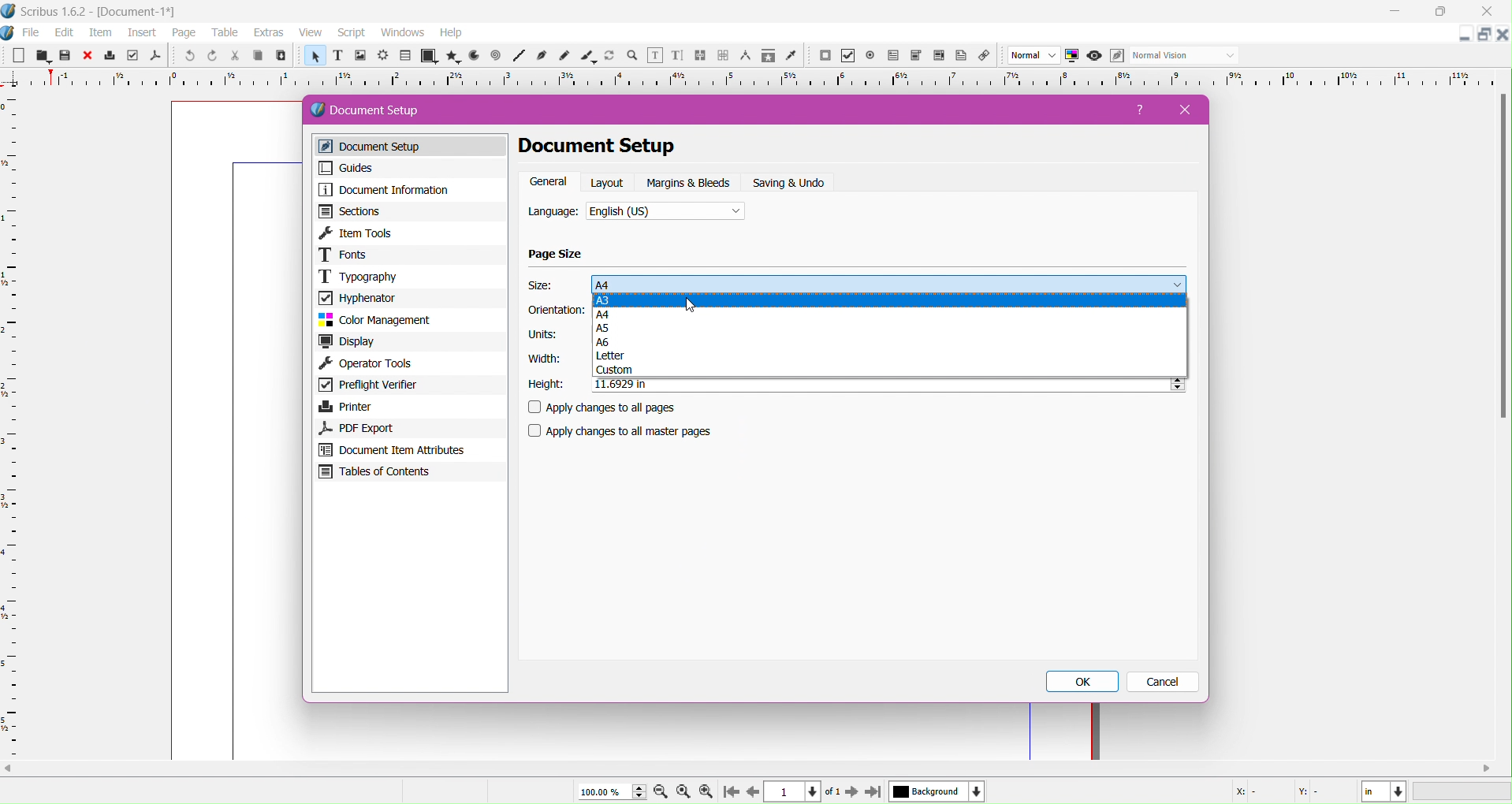  I want to click on edit contents of frames, so click(654, 56).